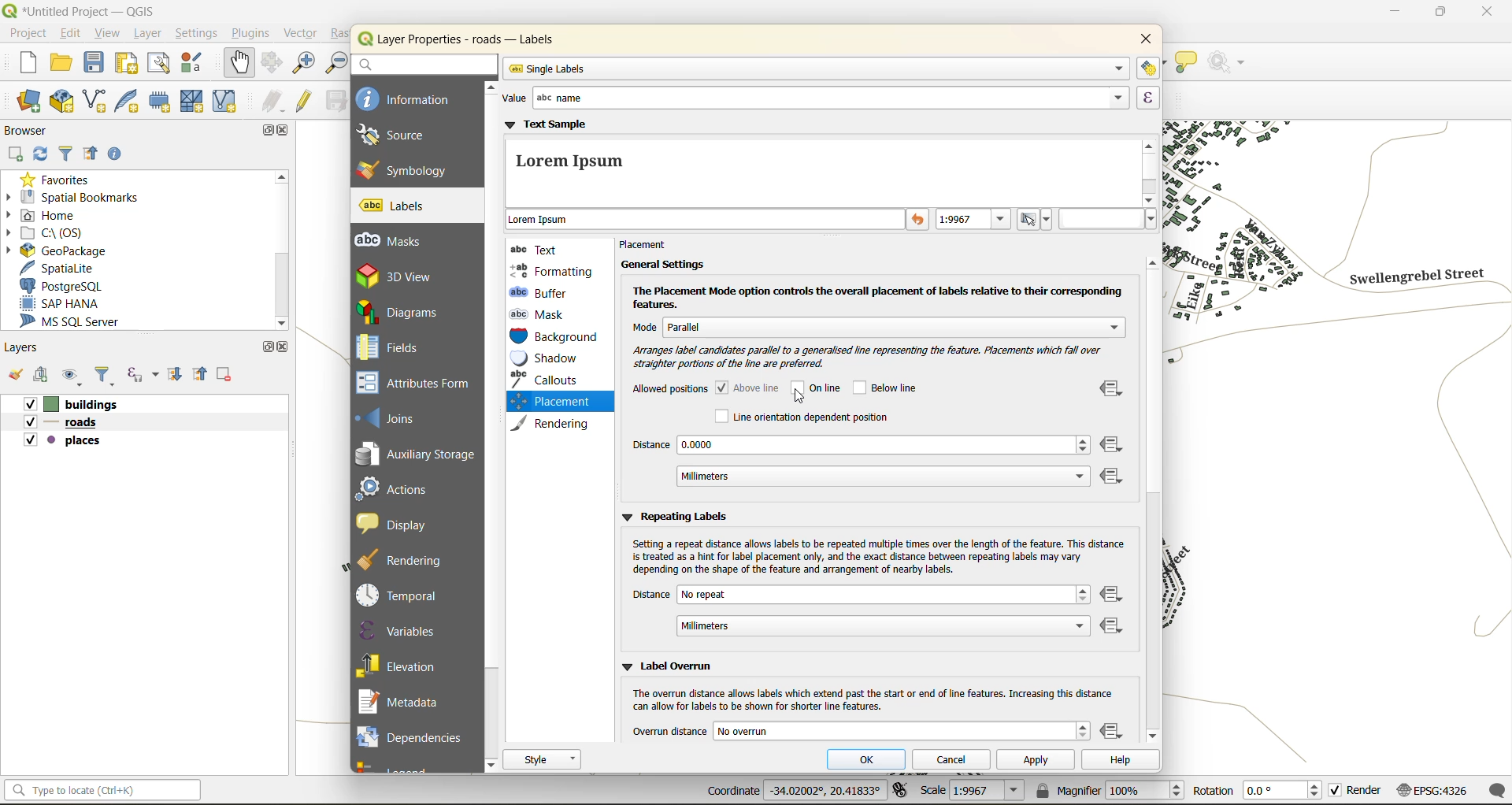  What do you see at coordinates (419, 384) in the screenshot?
I see `attributes form` at bounding box center [419, 384].